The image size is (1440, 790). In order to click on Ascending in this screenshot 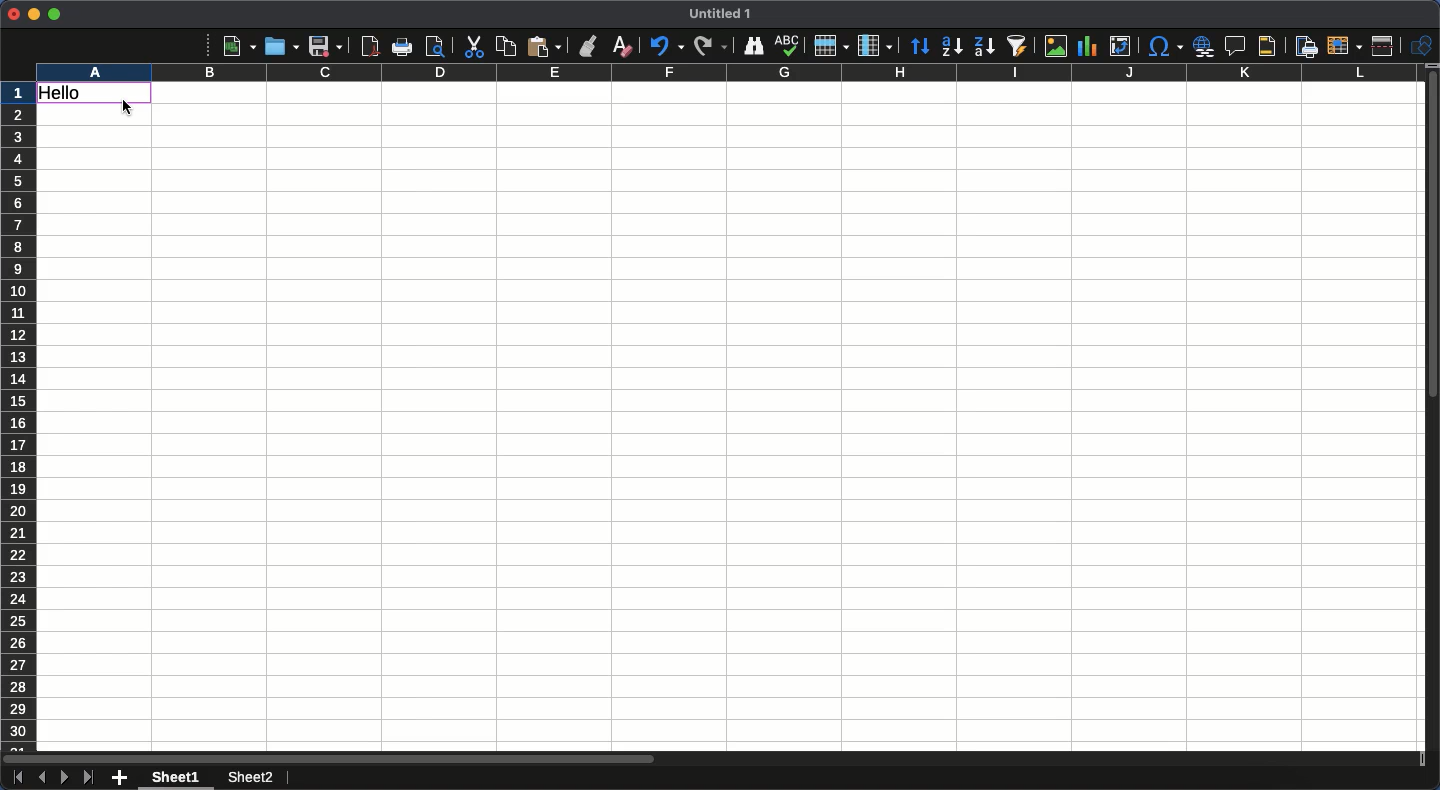, I will do `click(951, 45)`.